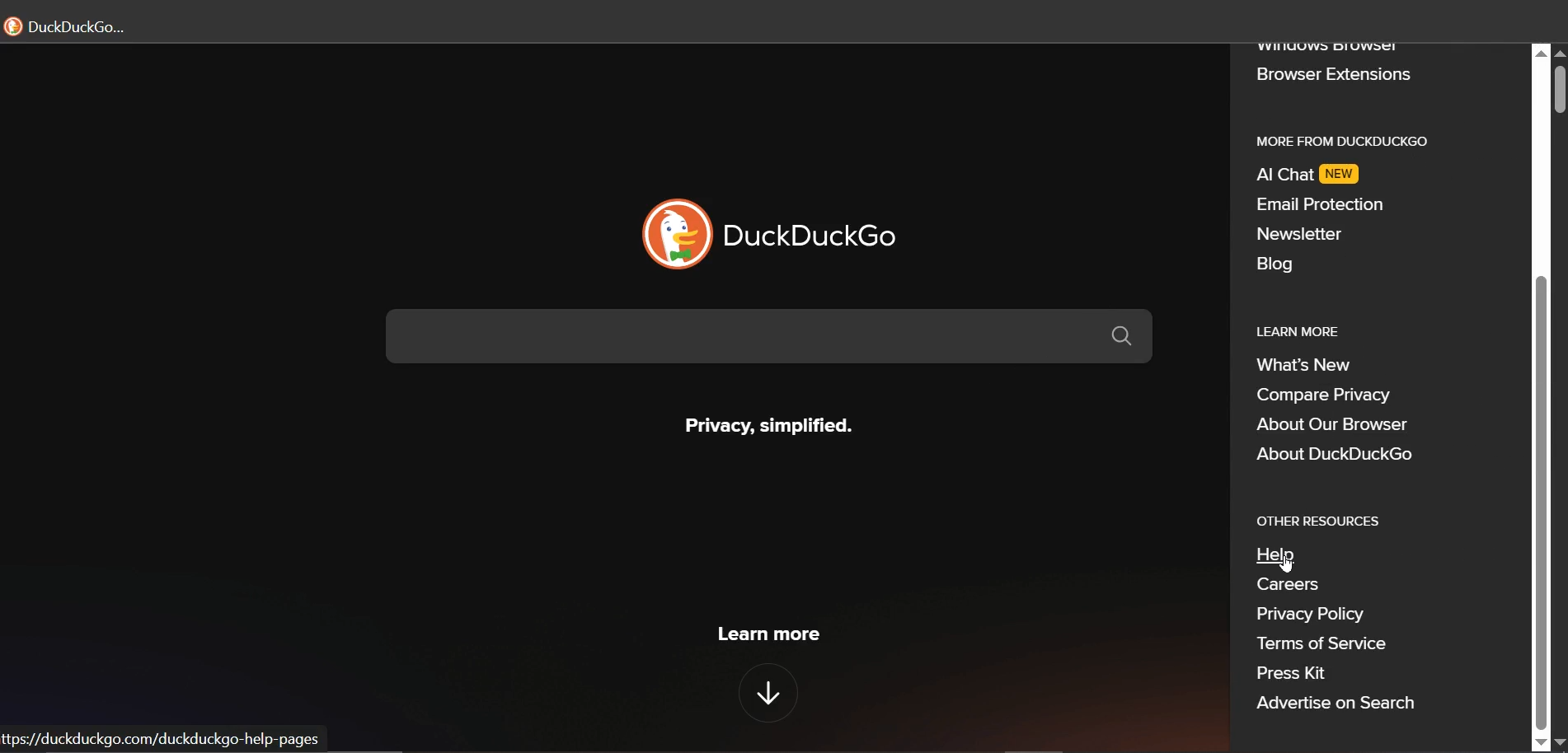 Image resolution: width=1568 pixels, height=753 pixels. What do you see at coordinates (763, 689) in the screenshot?
I see `down` at bounding box center [763, 689].